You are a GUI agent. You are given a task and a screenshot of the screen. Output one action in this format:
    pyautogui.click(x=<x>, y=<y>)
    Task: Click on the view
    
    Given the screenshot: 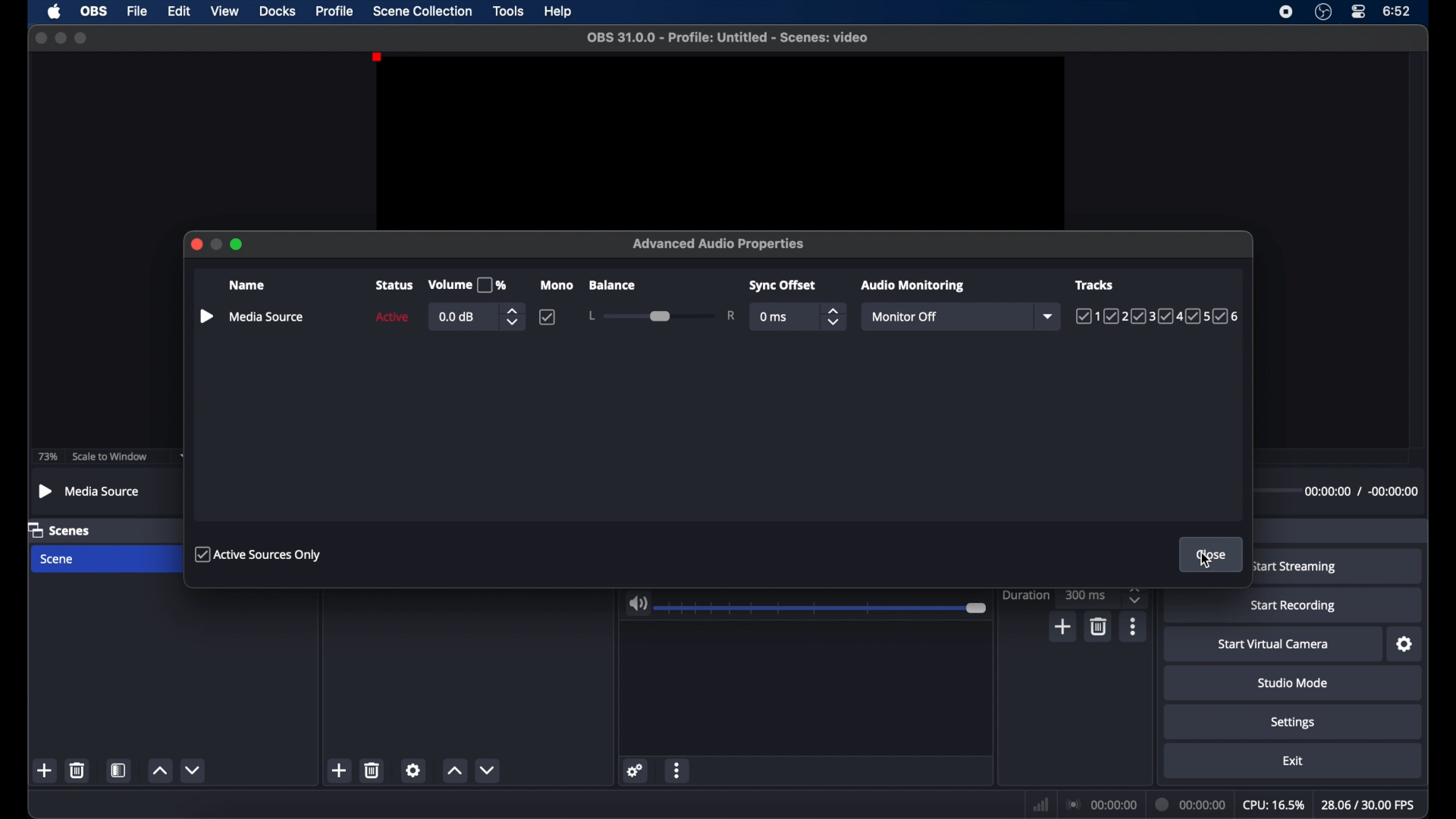 What is the action you would take?
    pyautogui.click(x=224, y=10)
    